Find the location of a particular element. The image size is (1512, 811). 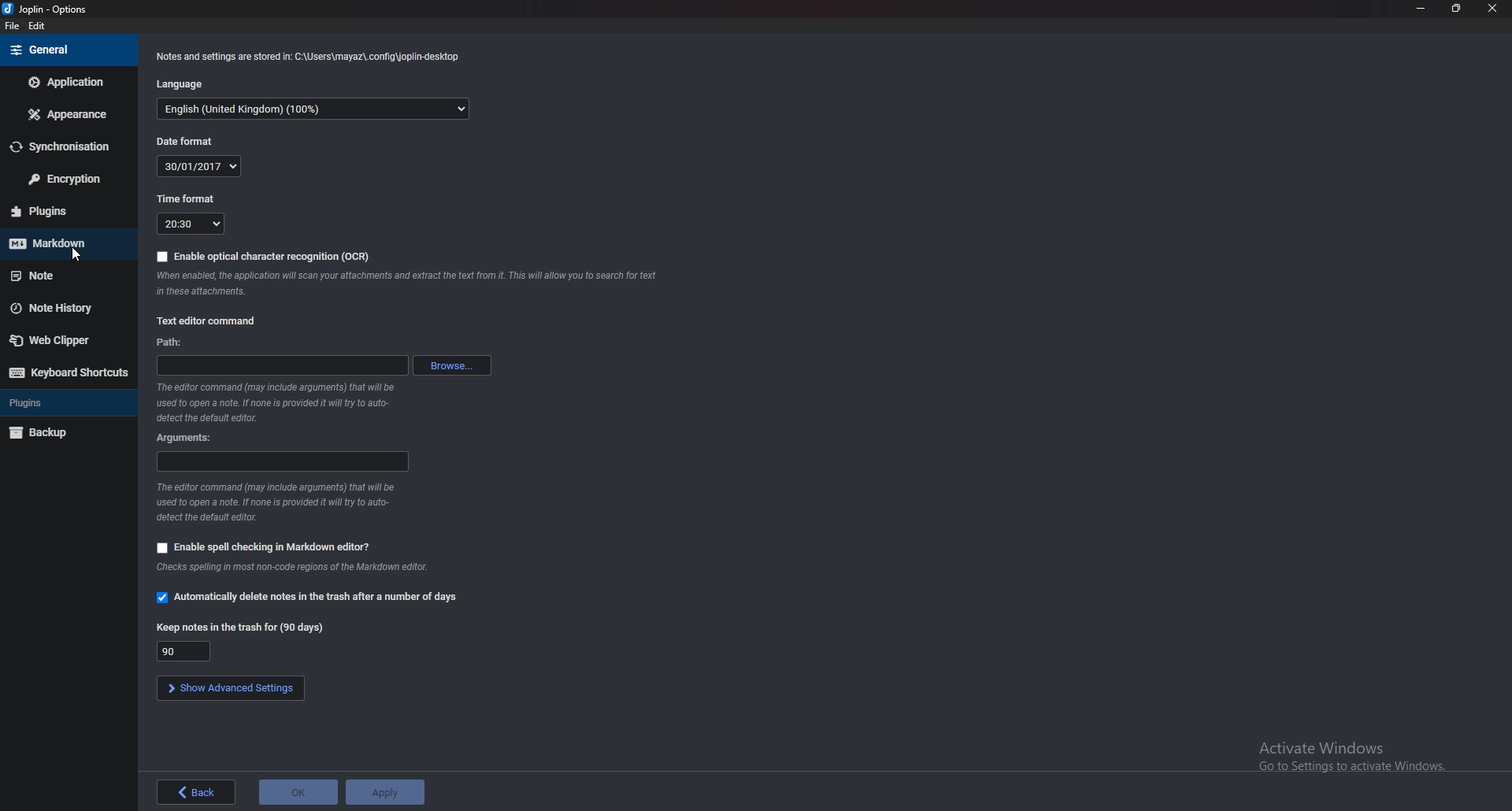

Keep notes in the trash for is located at coordinates (240, 627).